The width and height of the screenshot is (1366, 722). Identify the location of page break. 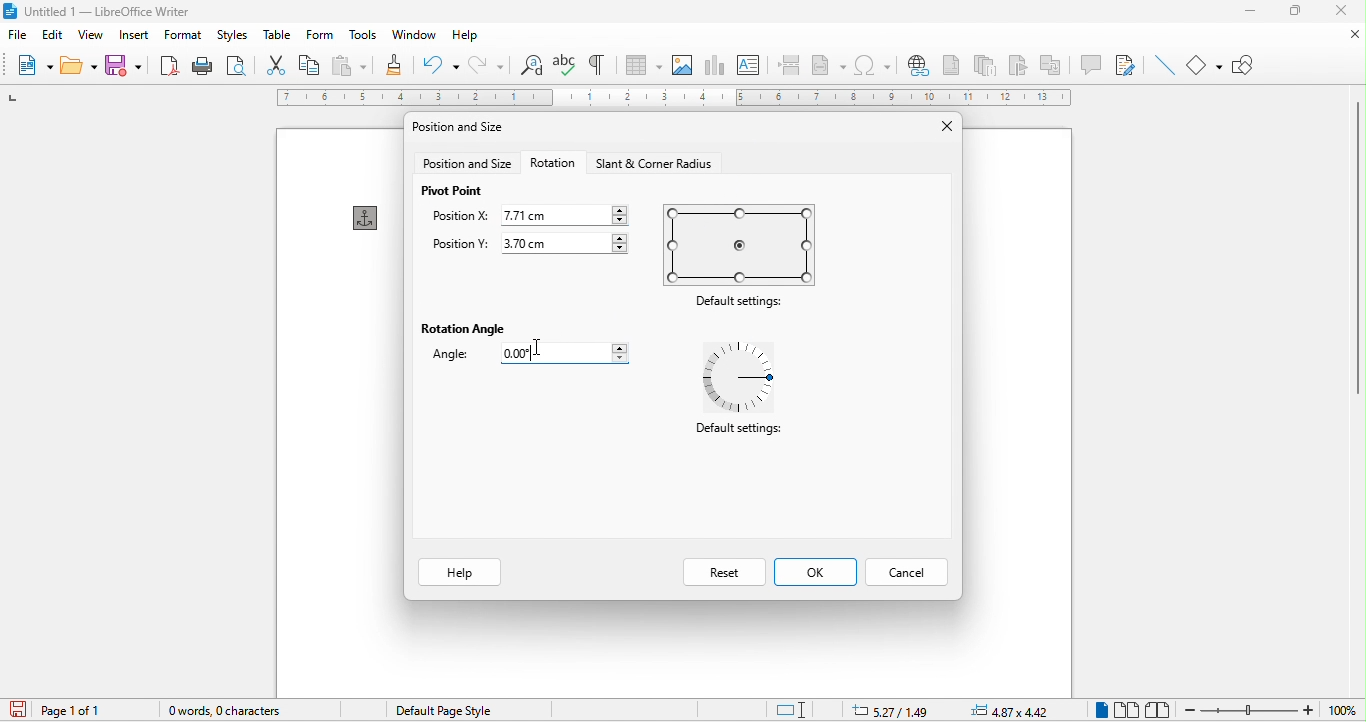
(787, 63).